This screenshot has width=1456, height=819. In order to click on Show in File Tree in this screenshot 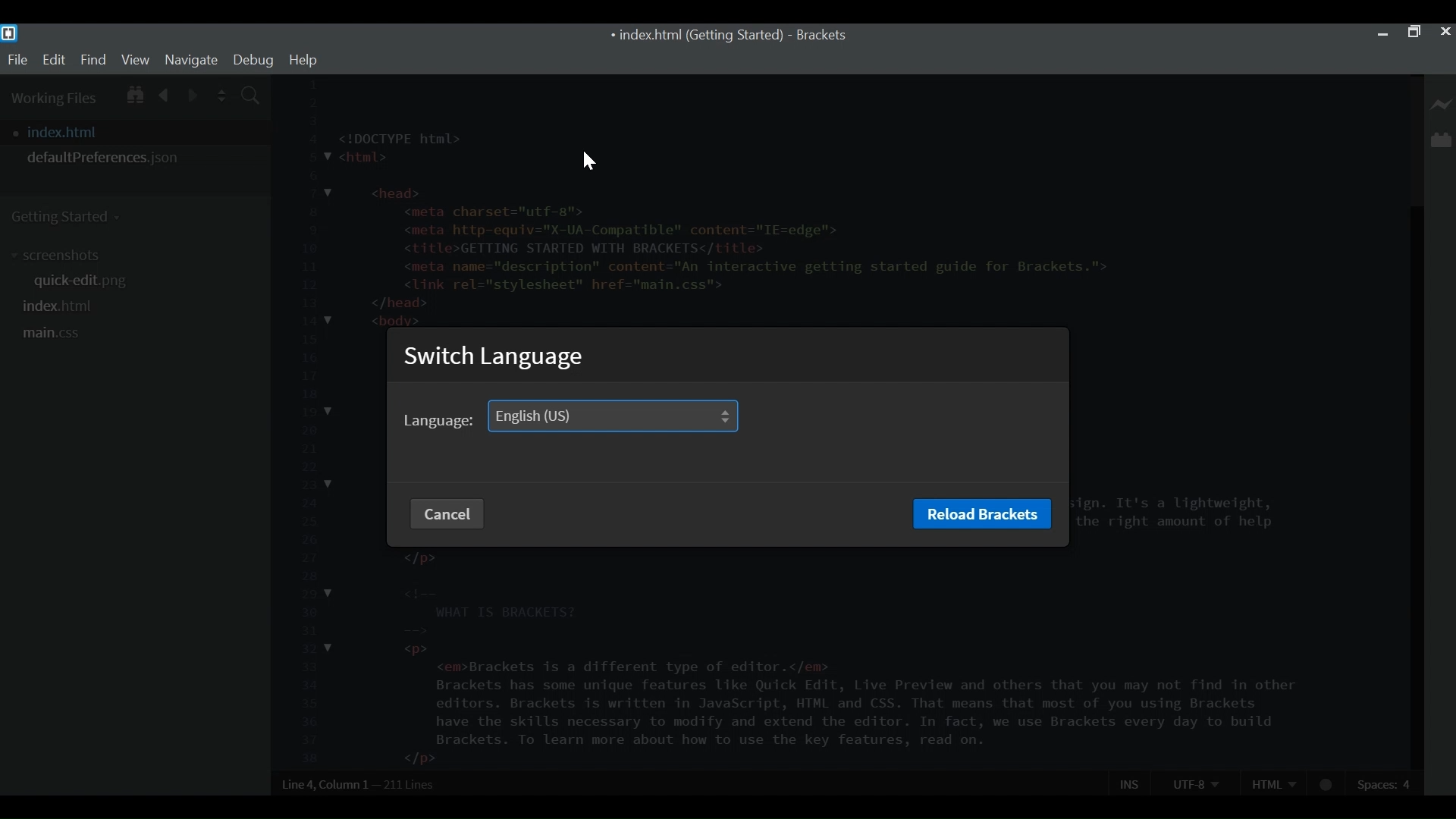, I will do `click(133, 93)`.